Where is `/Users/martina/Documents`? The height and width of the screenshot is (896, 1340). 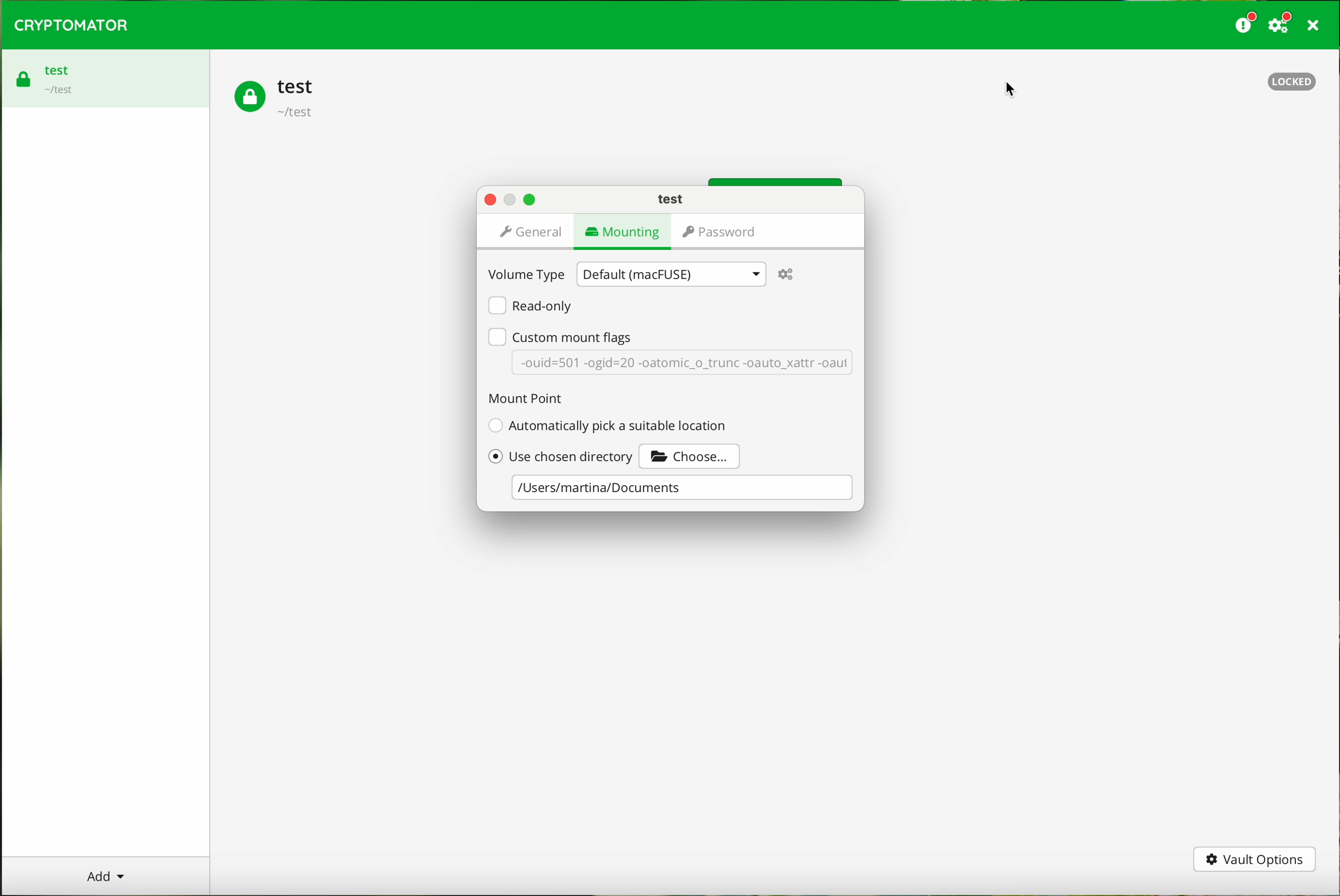 /Users/martina/Documents is located at coordinates (681, 489).